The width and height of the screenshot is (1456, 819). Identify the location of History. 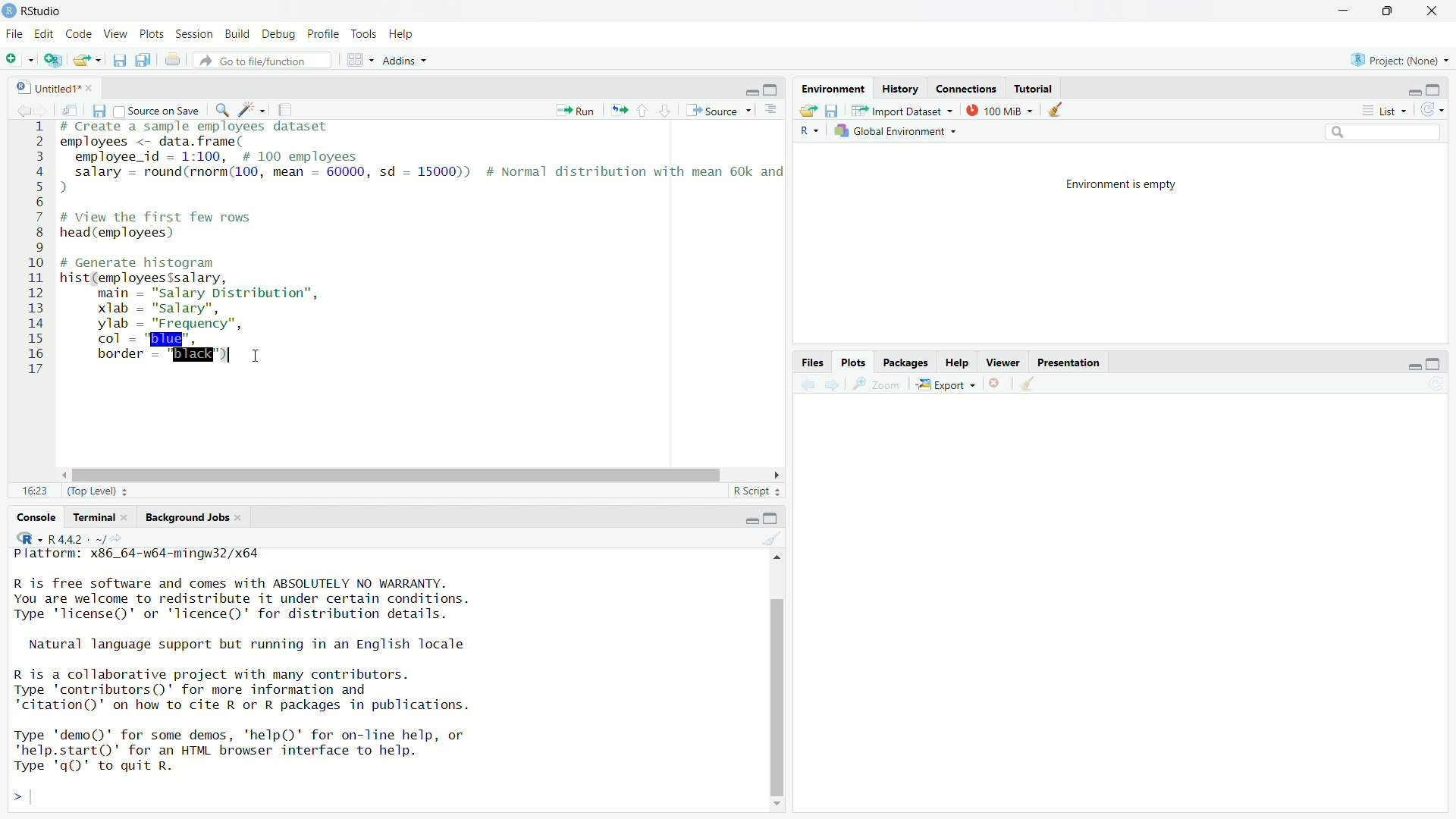
(902, 88).